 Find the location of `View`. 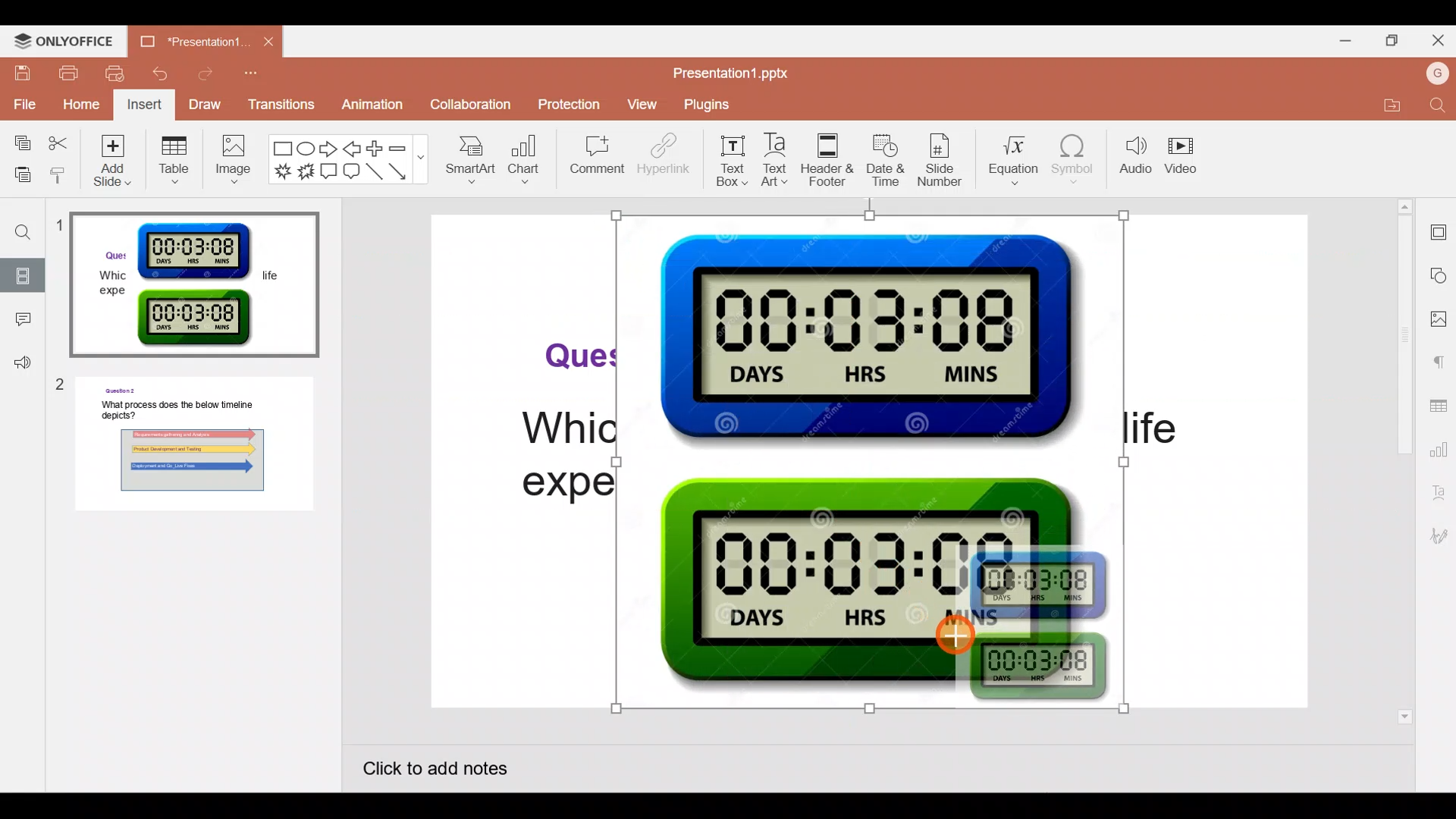

View is located at coordinates (642, 106).